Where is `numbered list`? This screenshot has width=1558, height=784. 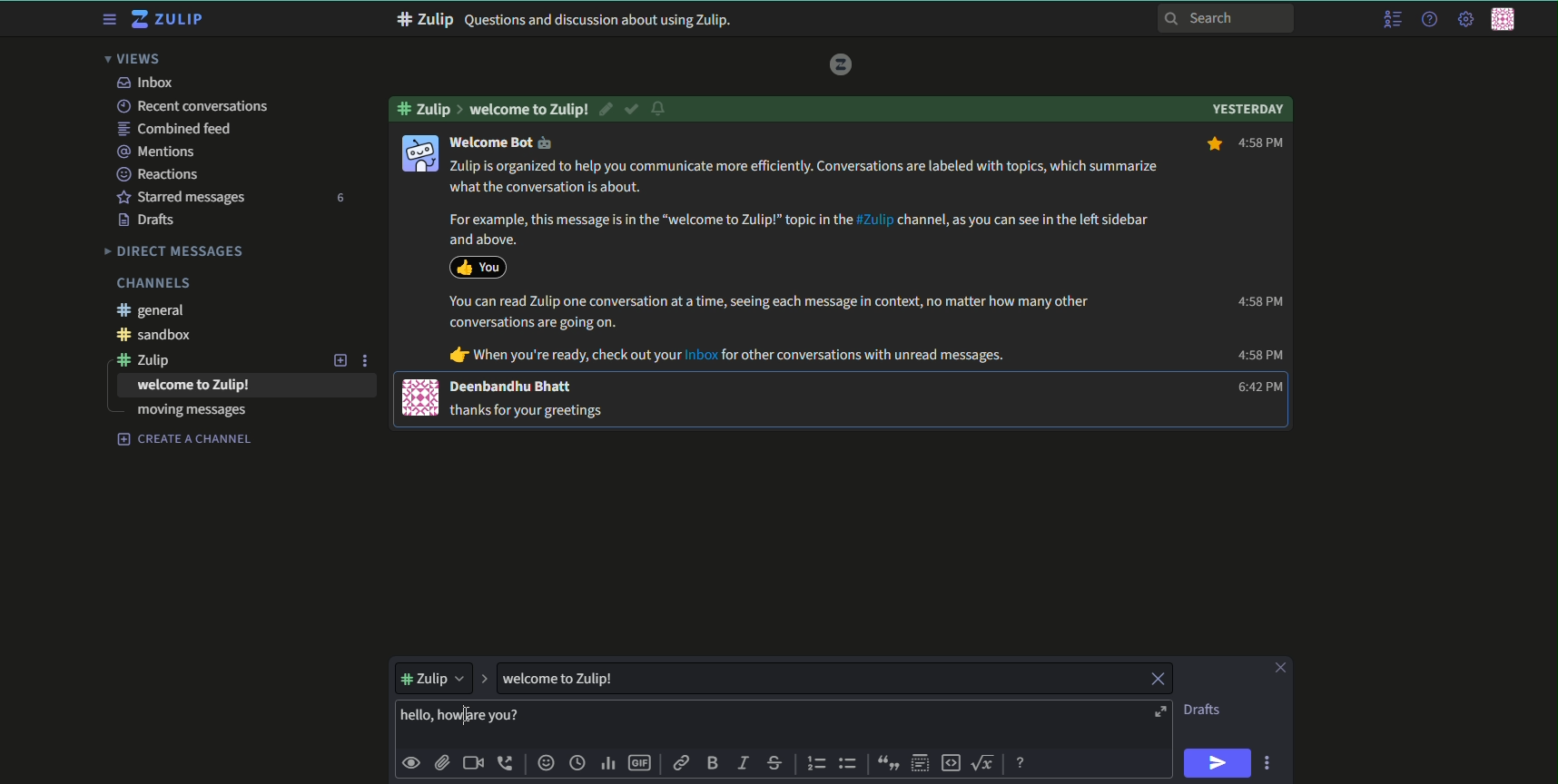
numbered list is located at coordinates (817, 763).